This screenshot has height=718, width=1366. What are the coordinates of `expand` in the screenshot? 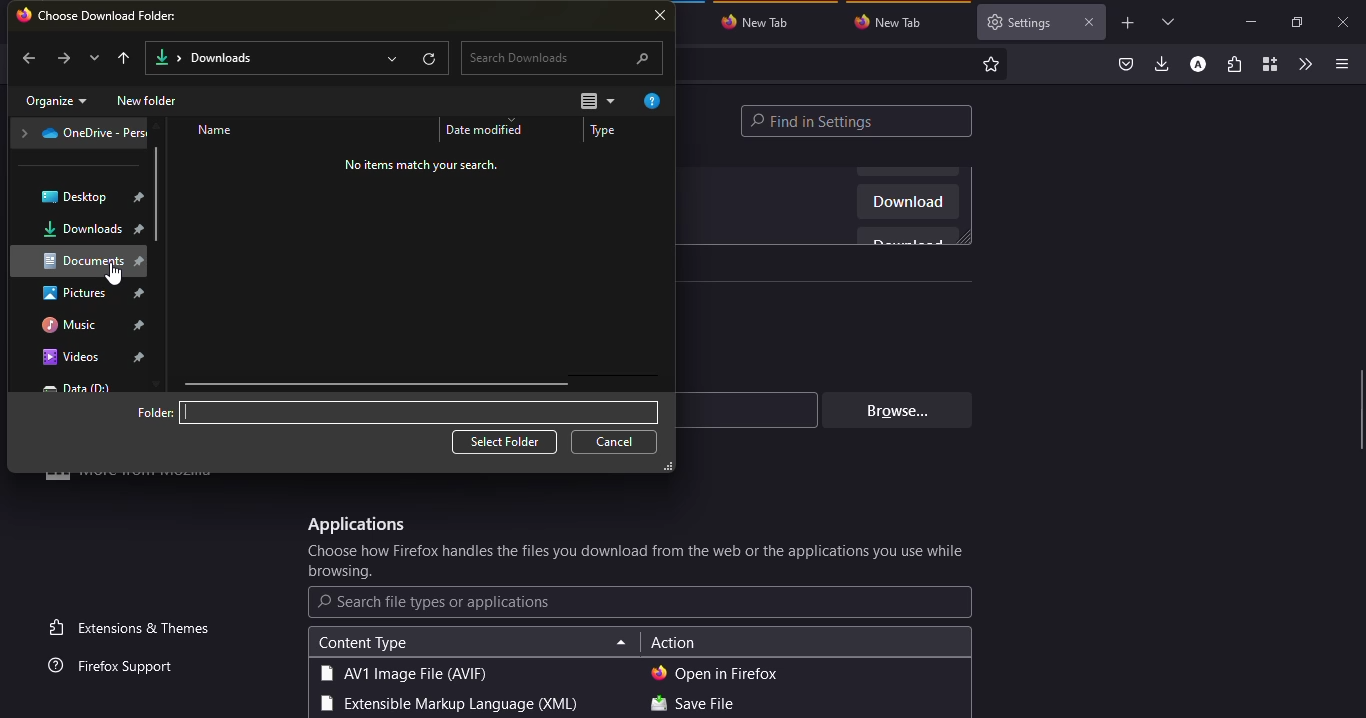 It's located at (390, 58).